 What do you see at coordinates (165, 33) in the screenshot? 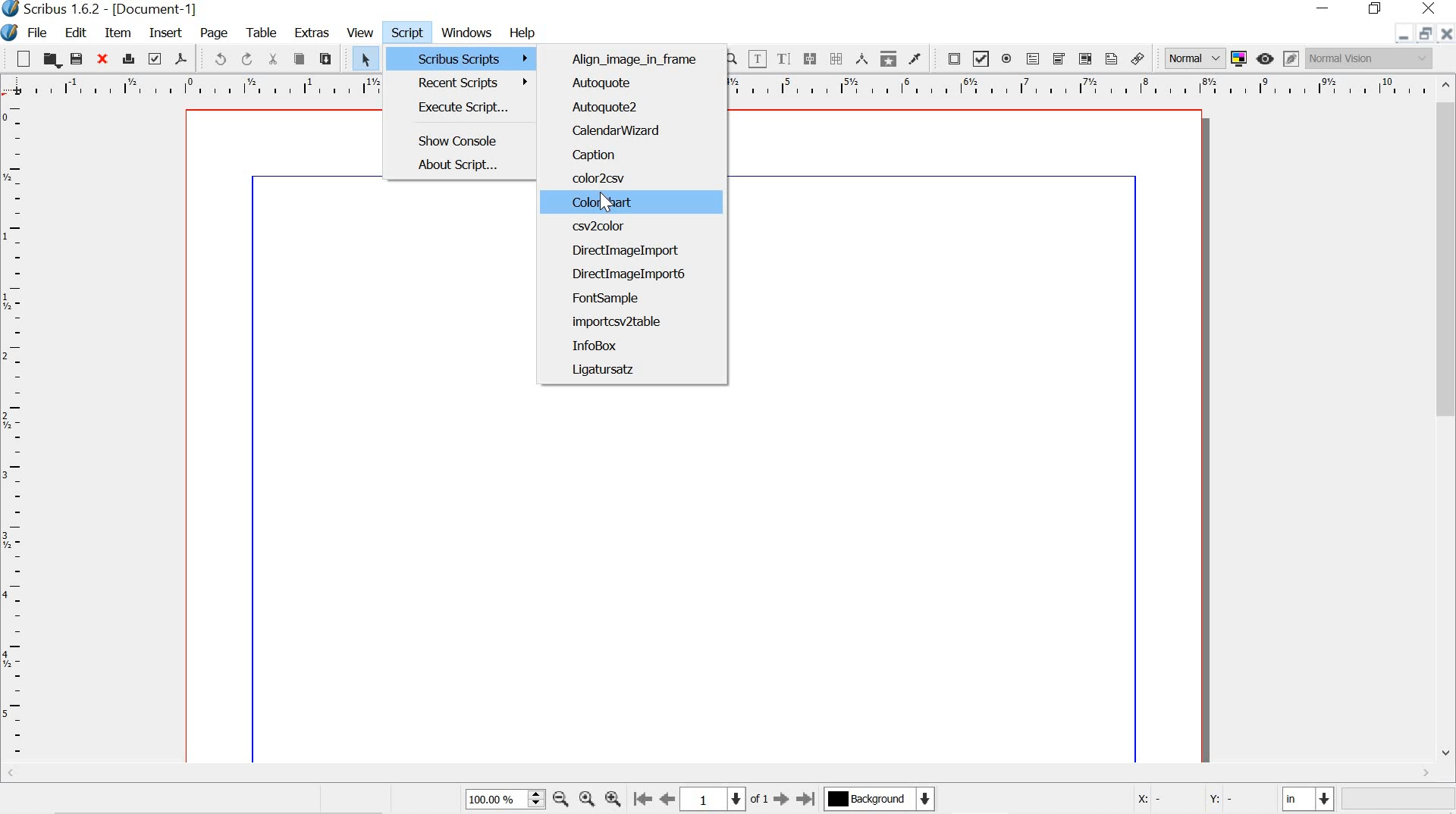
I see `insert` at bounding box center [165, 33].